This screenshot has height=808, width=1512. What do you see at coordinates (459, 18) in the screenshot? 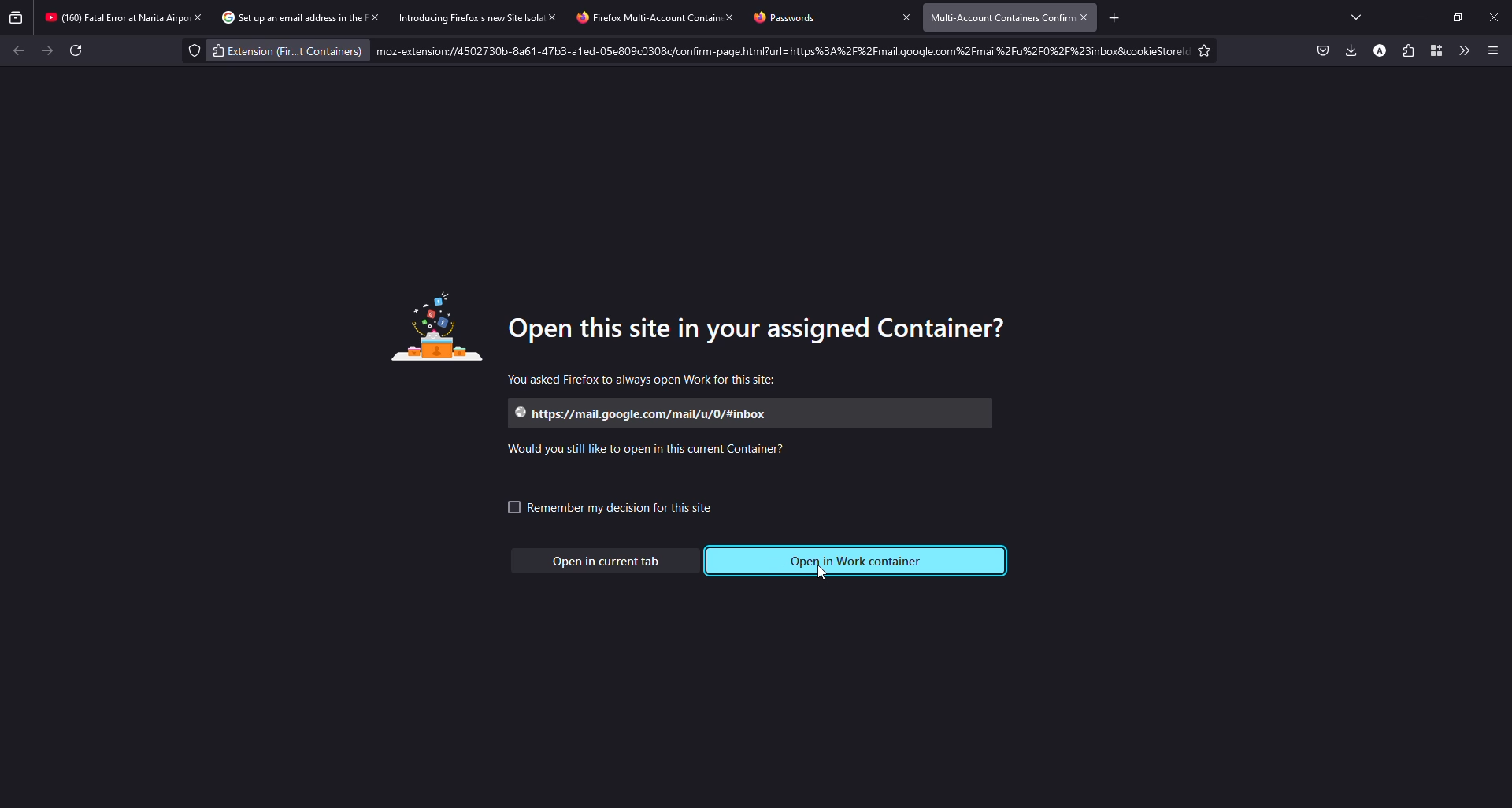
I see `Introducing Firefox's new Site` at bounding box center [459, 18].